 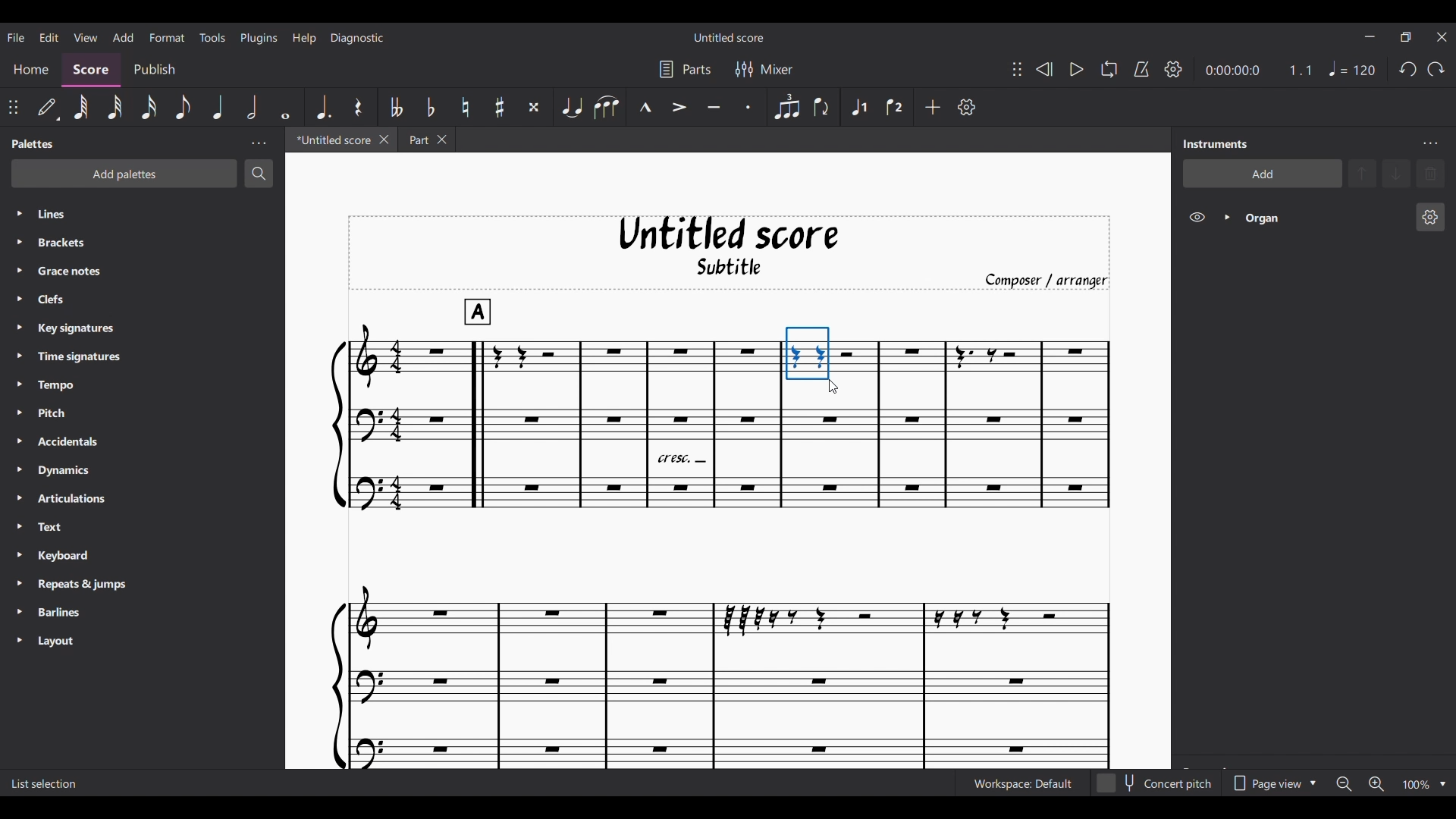 What do you see at coordinates (384, 139) in the screenshot?
I see `Close current tab` at bounding box center [384, 139].